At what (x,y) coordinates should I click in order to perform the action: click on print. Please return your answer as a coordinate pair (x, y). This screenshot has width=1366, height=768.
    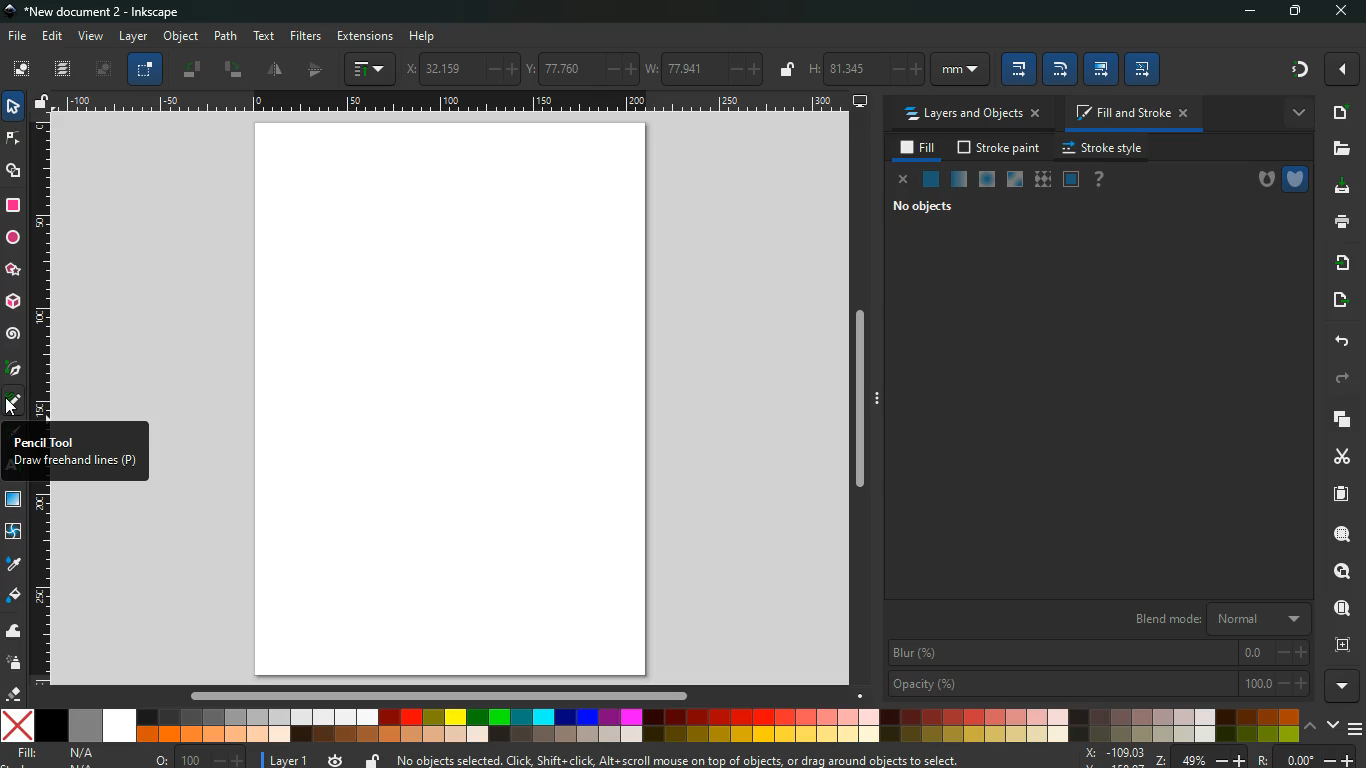
    Looking at the image, I should click on (1336, 221).